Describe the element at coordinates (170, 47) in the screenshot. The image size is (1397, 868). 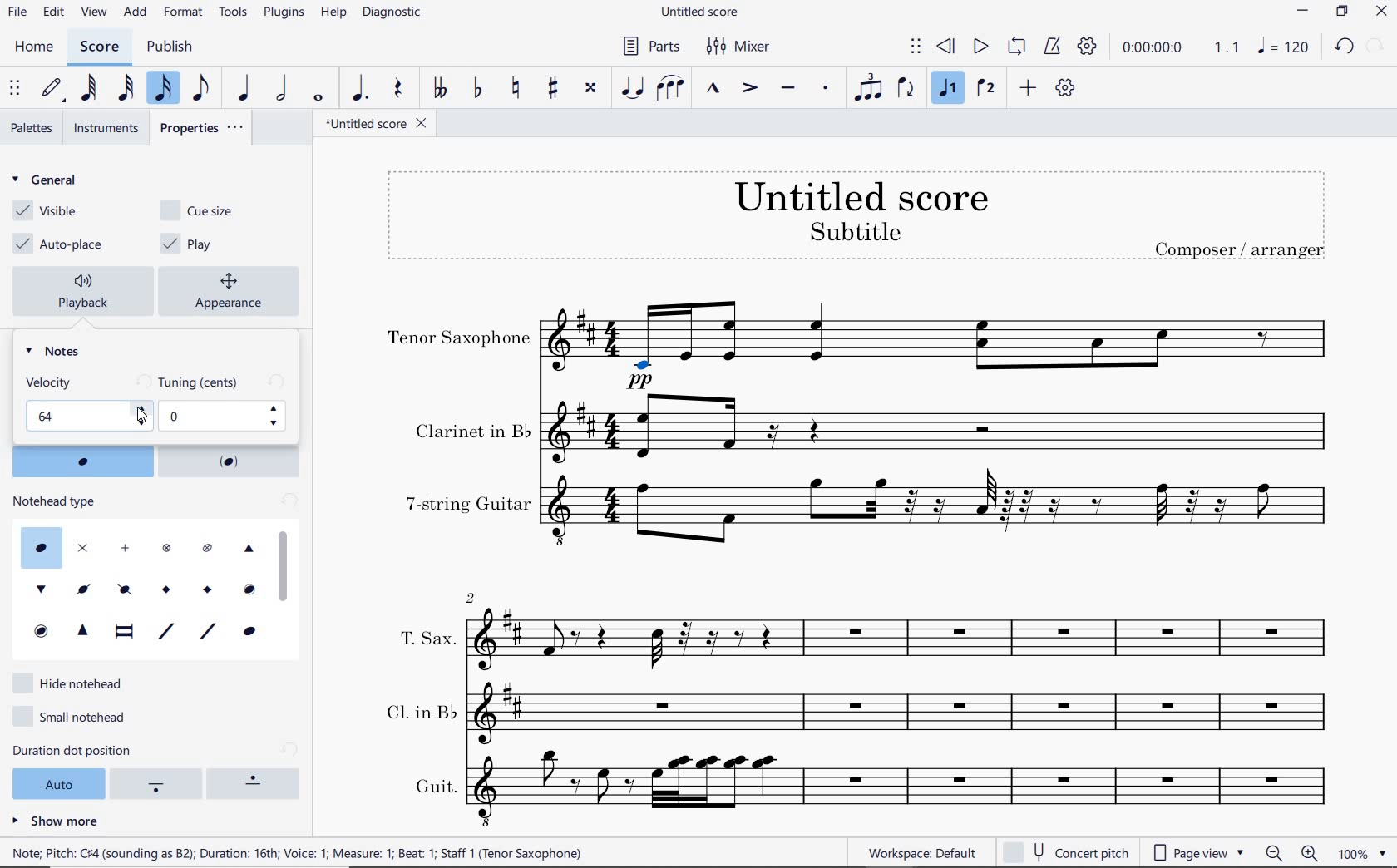
I see `PUBLISH` at that location.